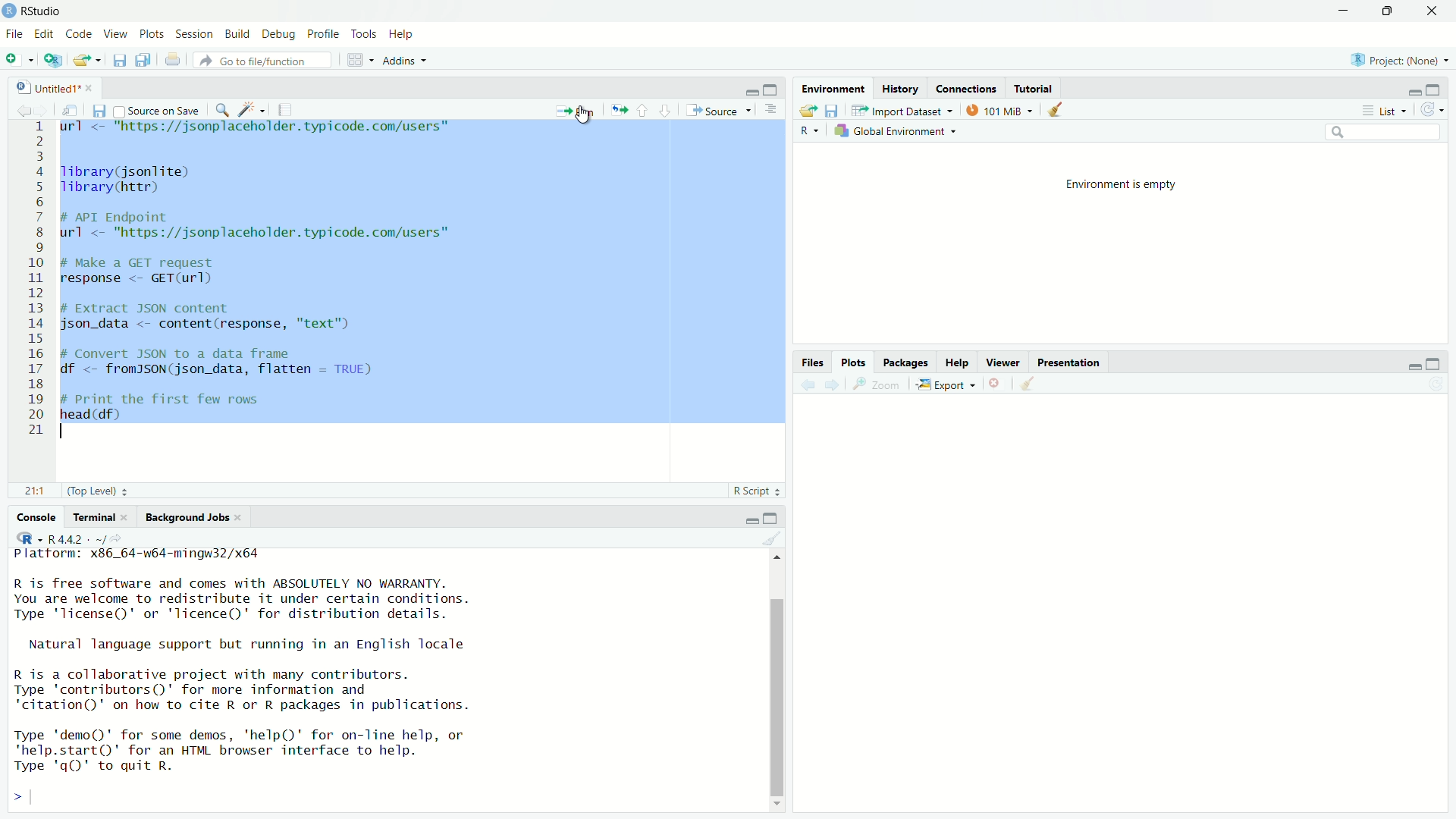 Image resolution: width=1456 pixels, height=819 pixels. Describe the element at coordinates (322, 34) in the screenshot. I see `Profile` at that location.